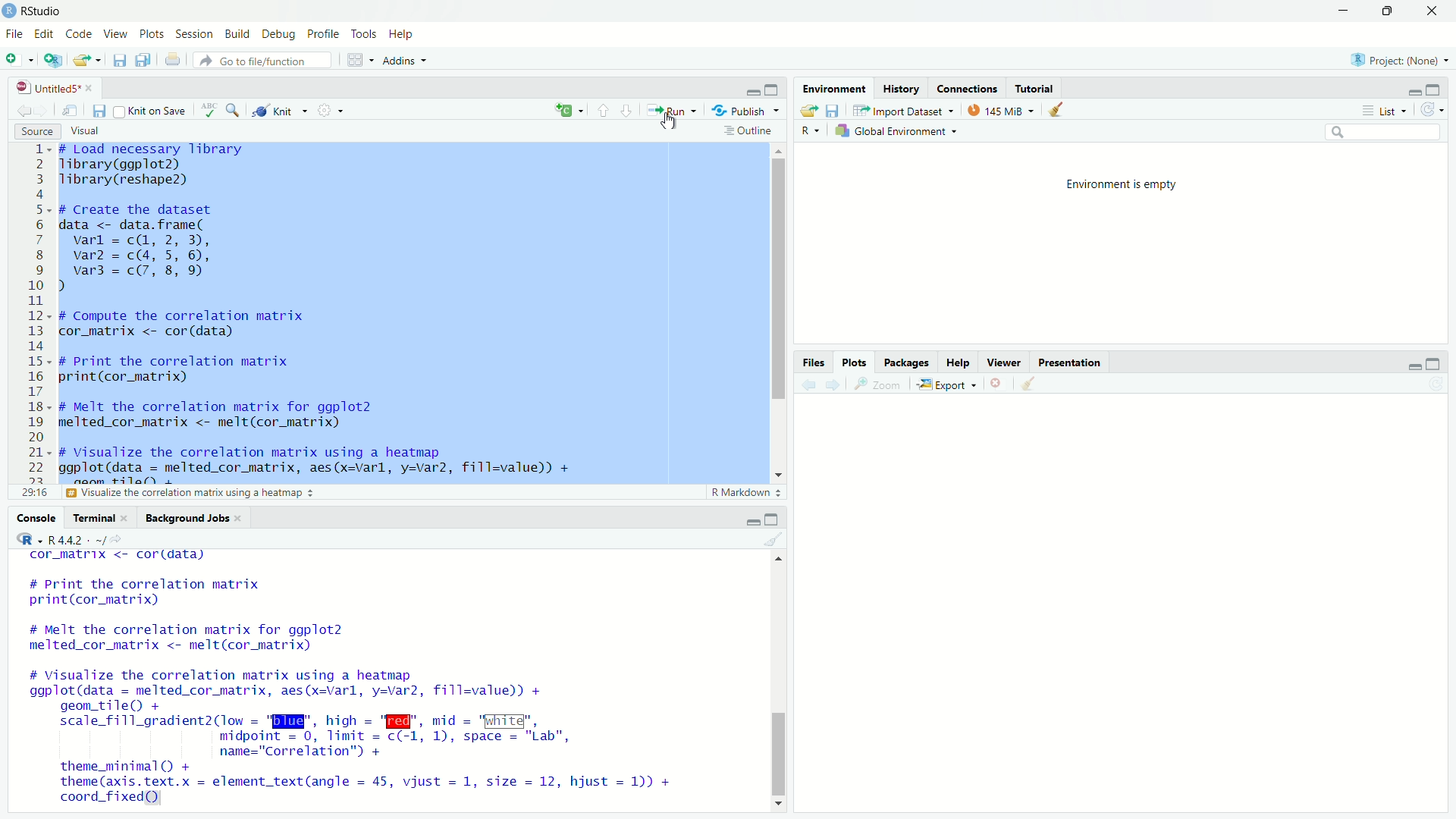 This screenshot has width=1456, height=819. What do you see at coordinates (811, 131) in the screenshot?
I see `R language` at bounding box center [811, 131].